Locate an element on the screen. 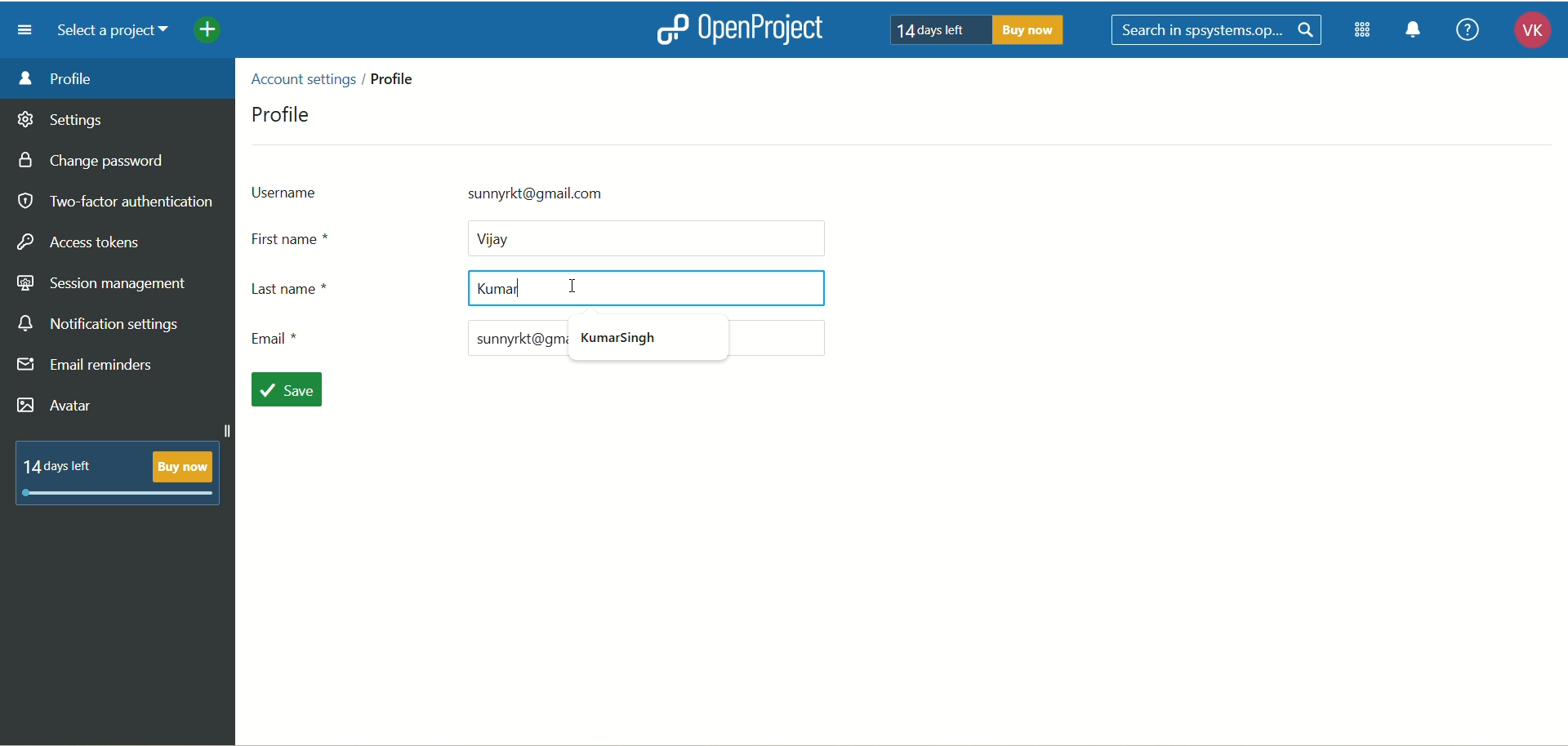  change password is located at coordinates (97, 162).